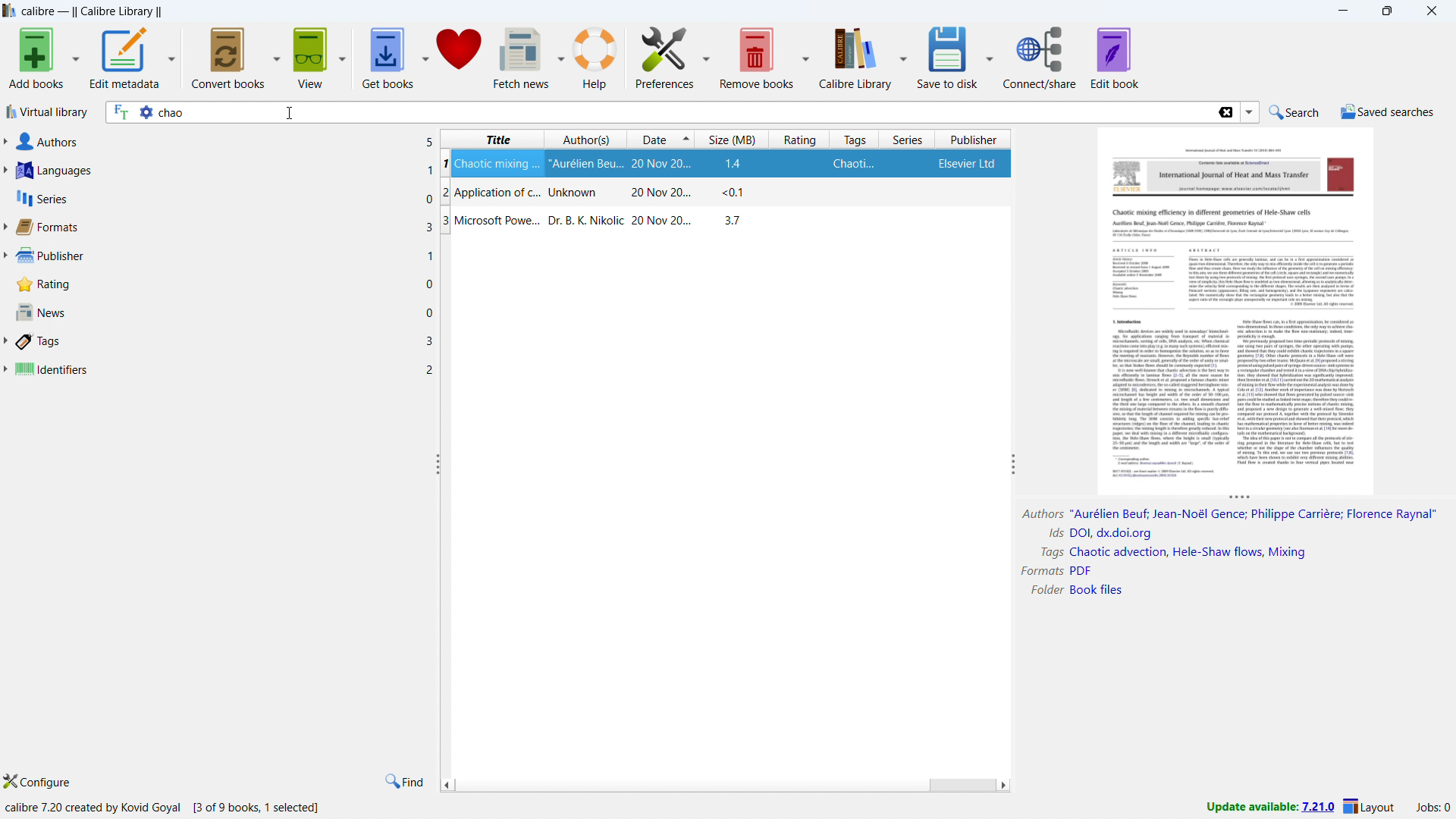 The height and width of the screenshot is (819, 1456). What do you see at coordinates (494, 137) in the screenshot?
I see `sort by title` at bounding box center [494, 137].